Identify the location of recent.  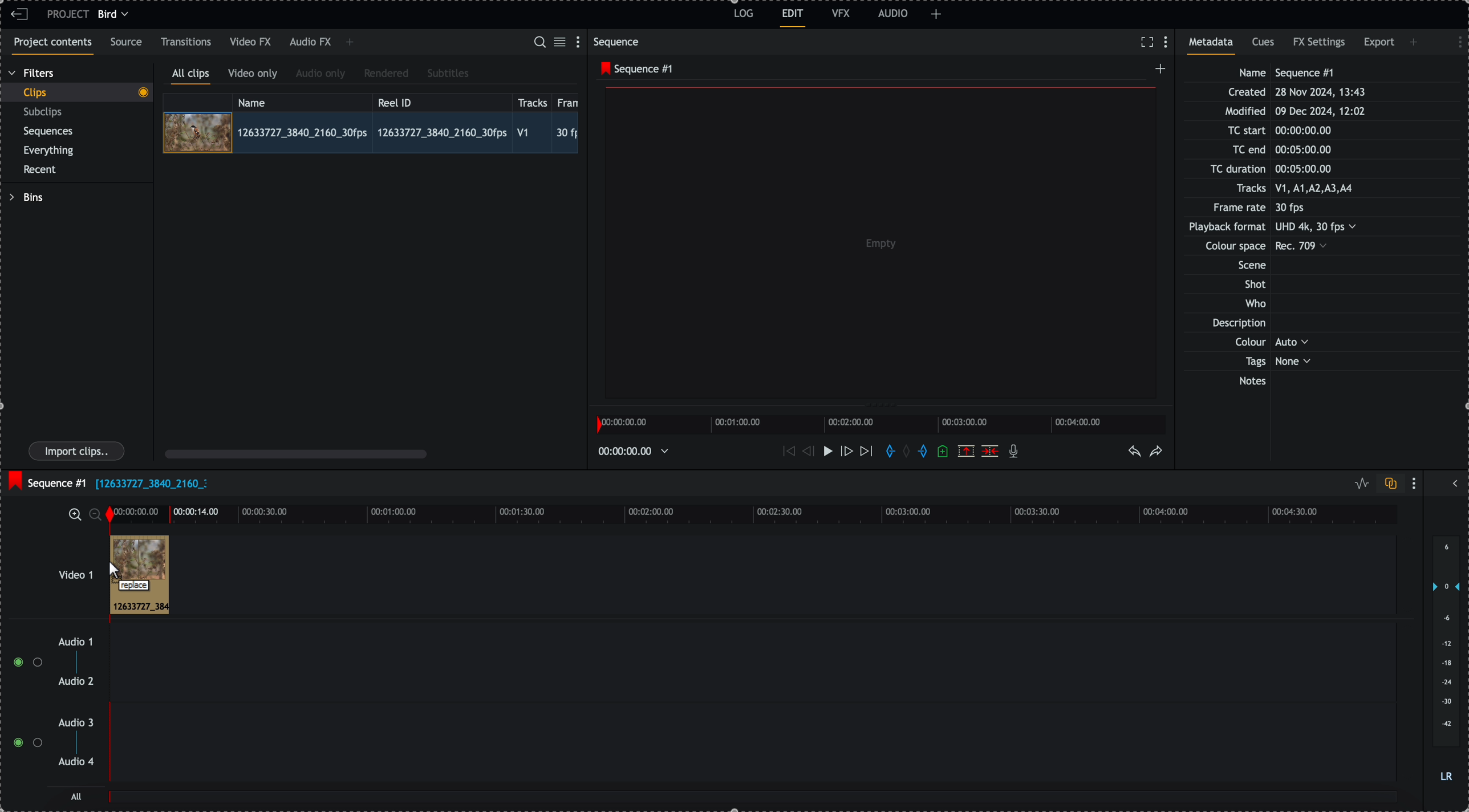
(42, 170).